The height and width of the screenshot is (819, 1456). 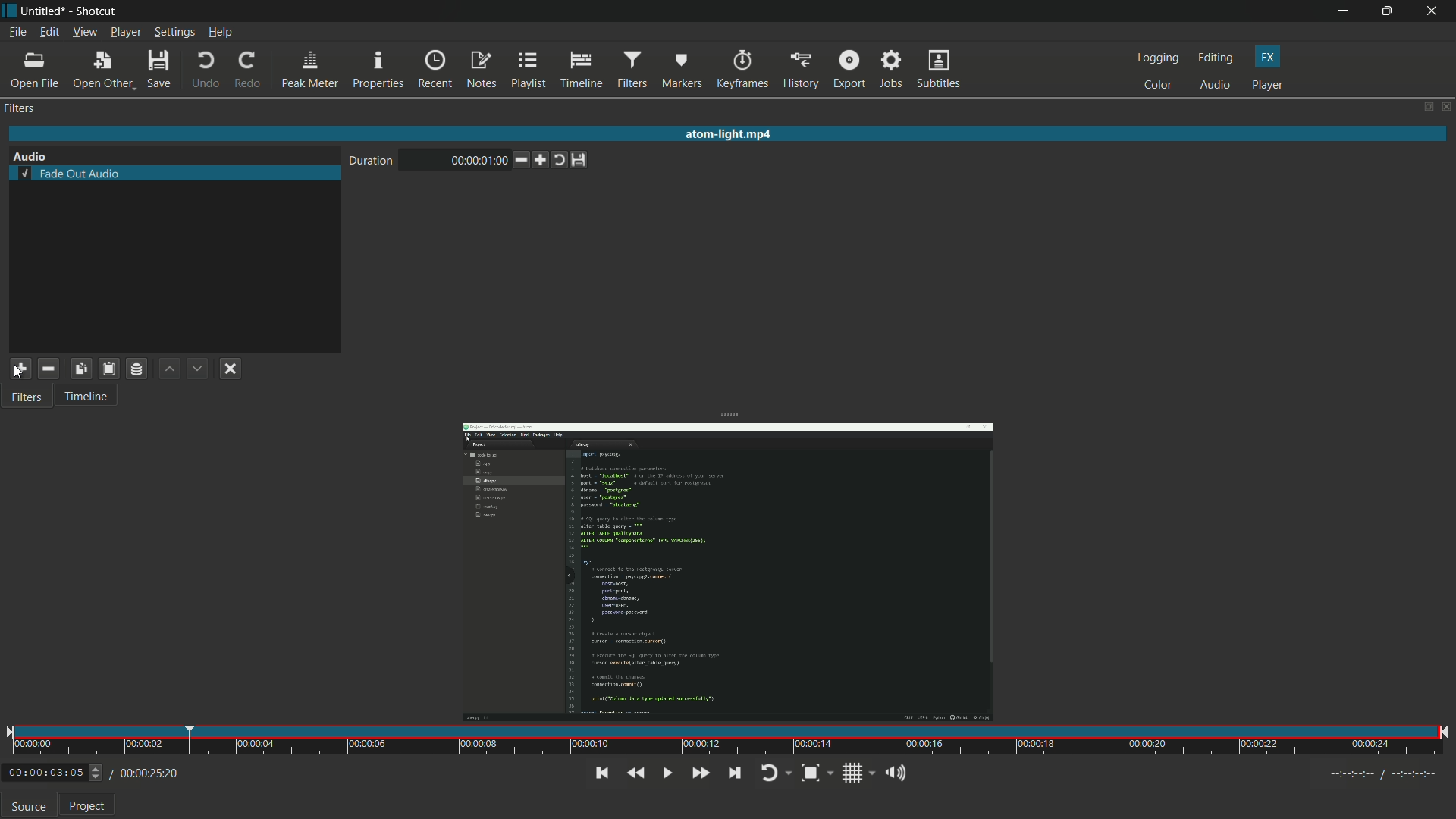 What do you see at coordinates (17, 32) in the screenshot?
I see `file menu` at bounding box center [17, 32].